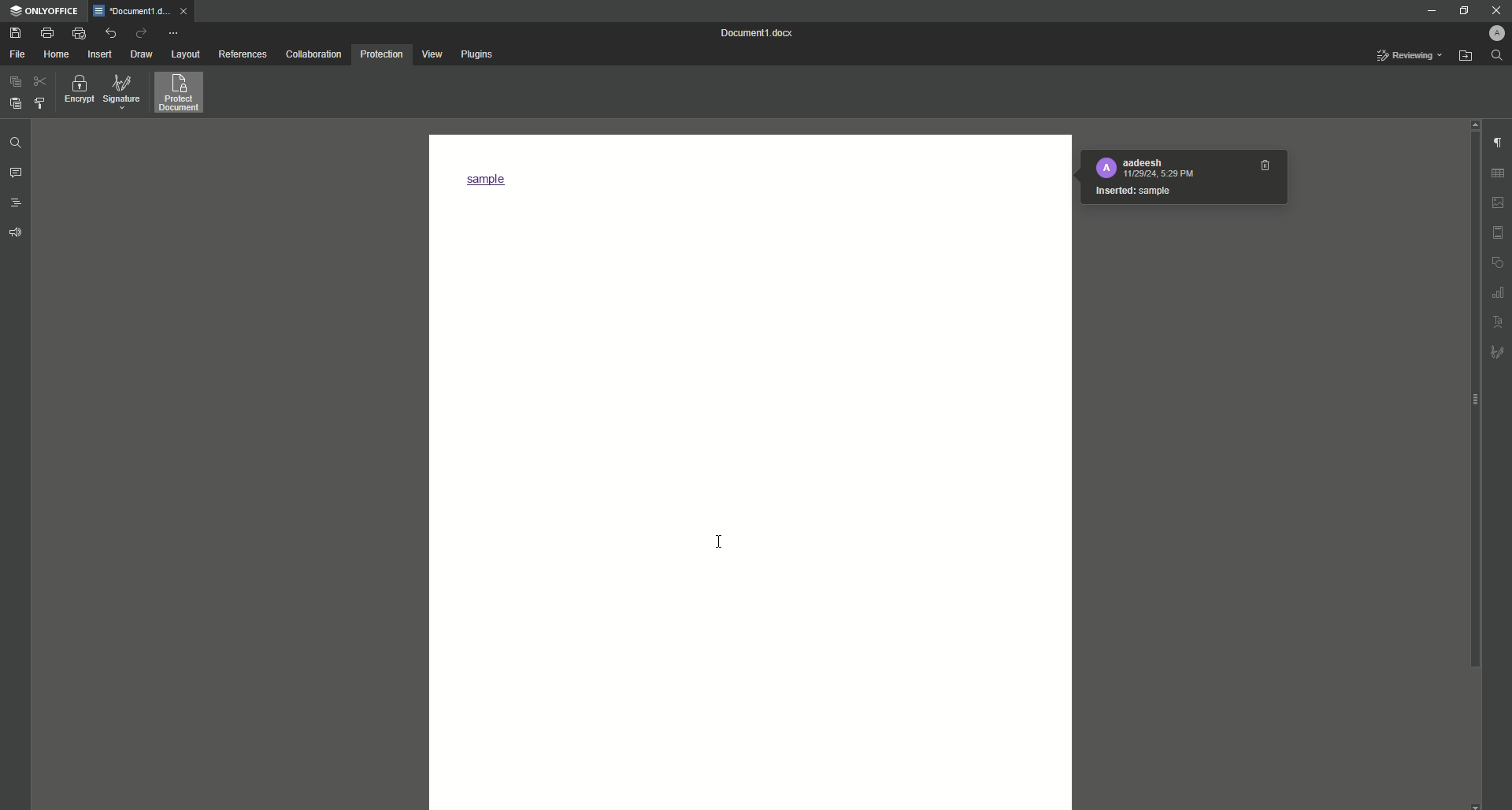  What do you see at coordinates (14, 143) in the screenshot?
I see `Find` at bounding box center [14, 143].